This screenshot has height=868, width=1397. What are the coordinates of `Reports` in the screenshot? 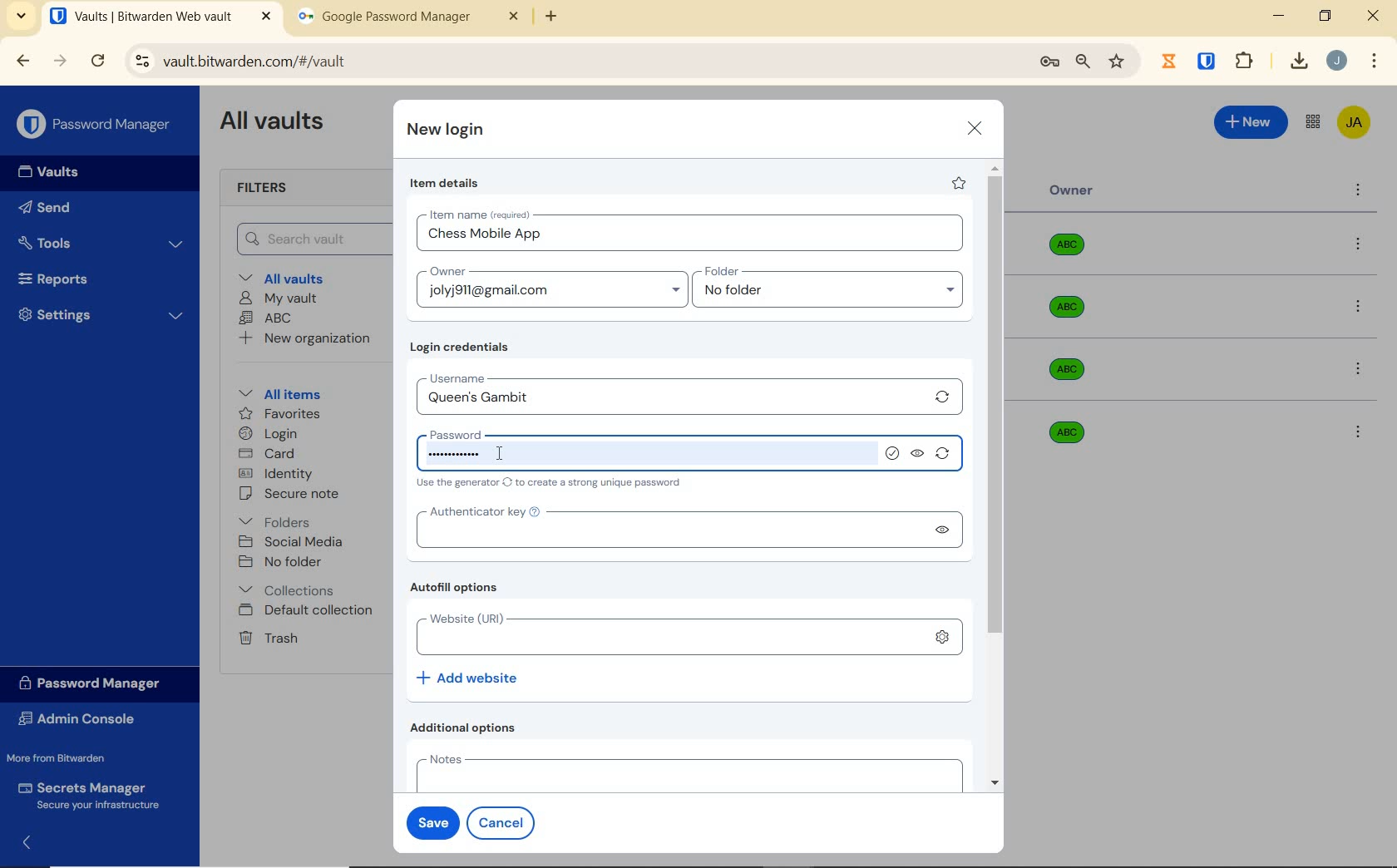 It's located at (72, 275).